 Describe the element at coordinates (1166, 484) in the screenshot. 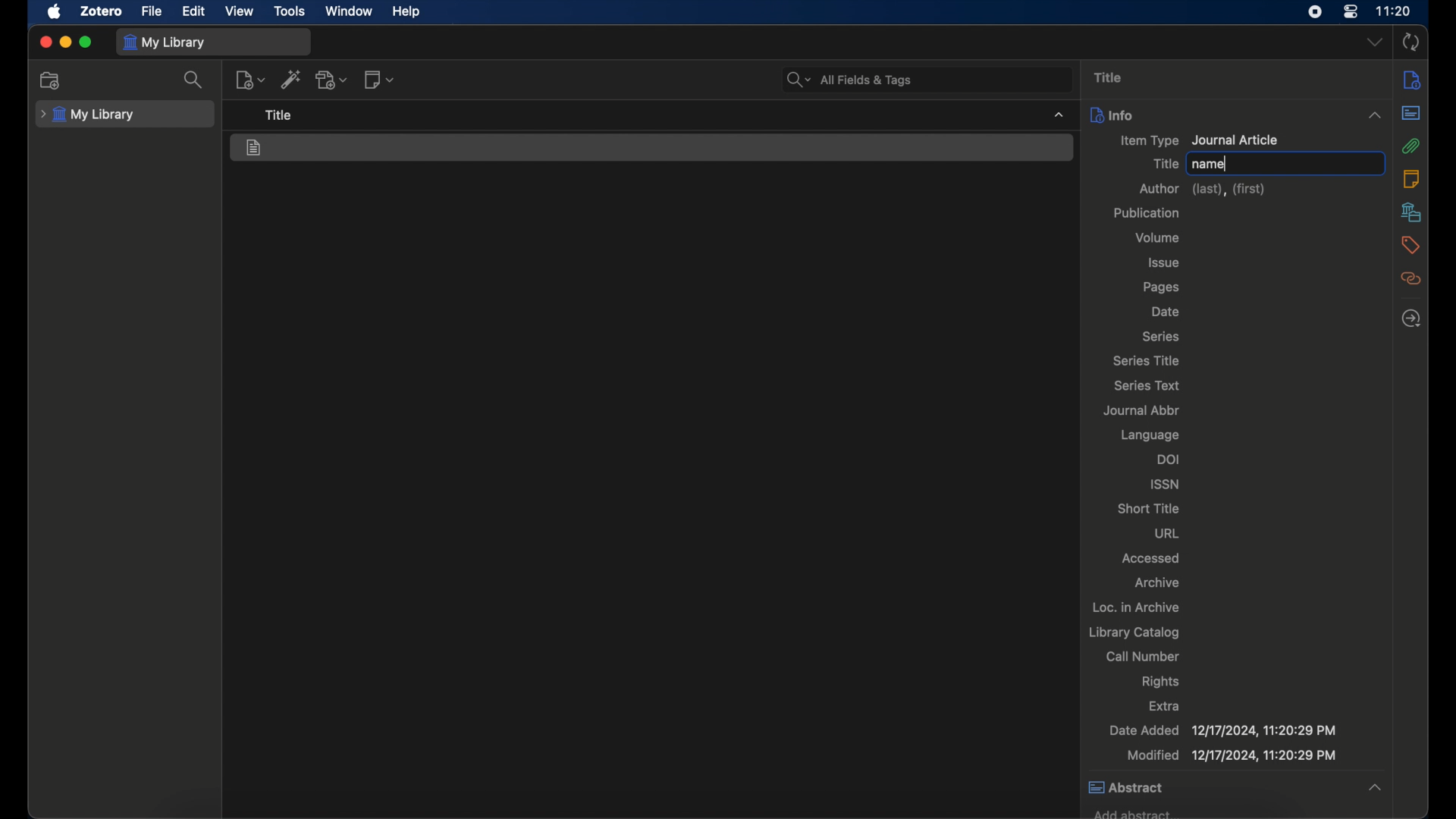

I see `issn` at that location.